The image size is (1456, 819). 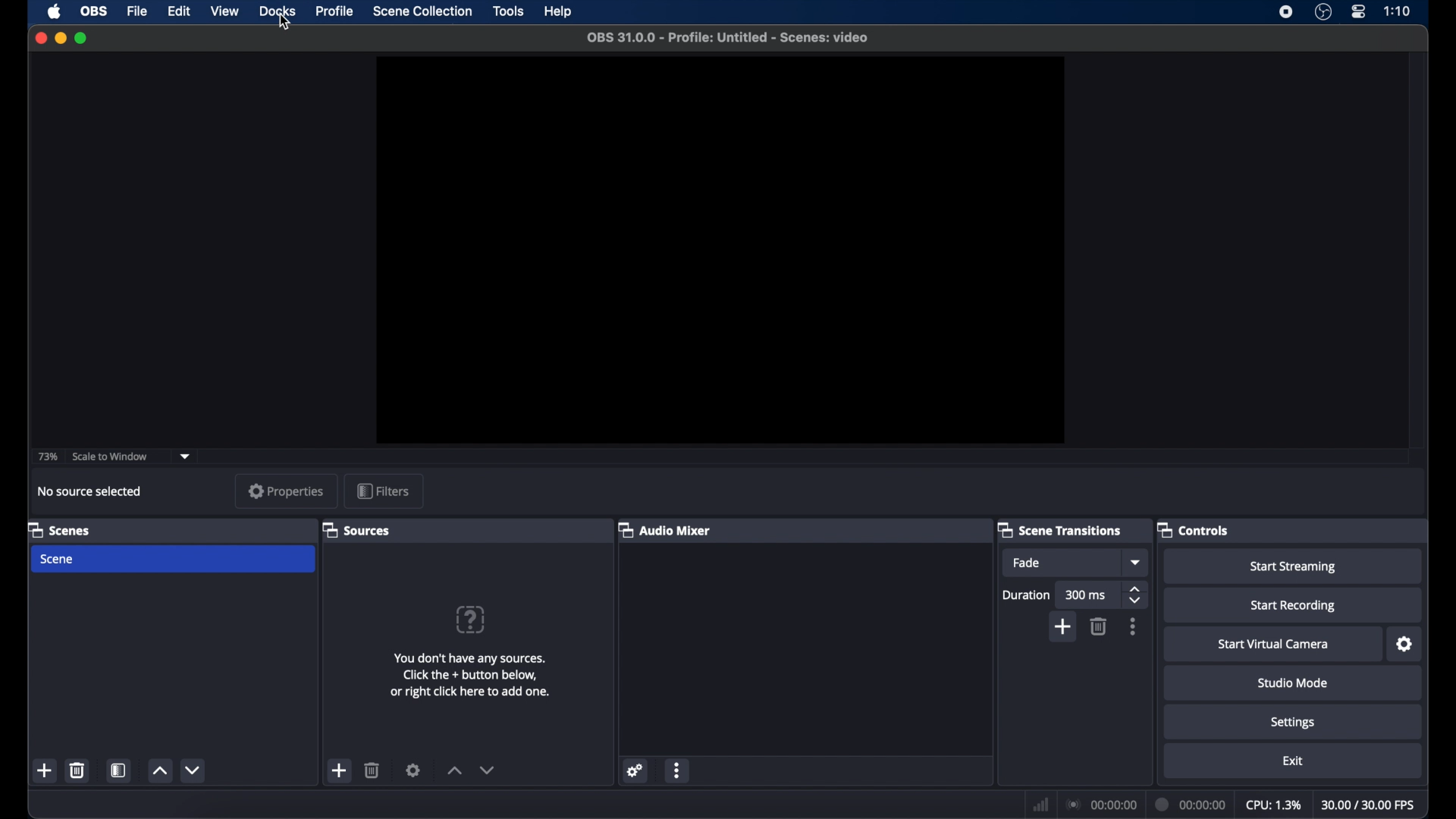 What do you see at coordinates (1087, 596) in the screenshot?
I see `300 ms` at bounding box center [1087, 596].